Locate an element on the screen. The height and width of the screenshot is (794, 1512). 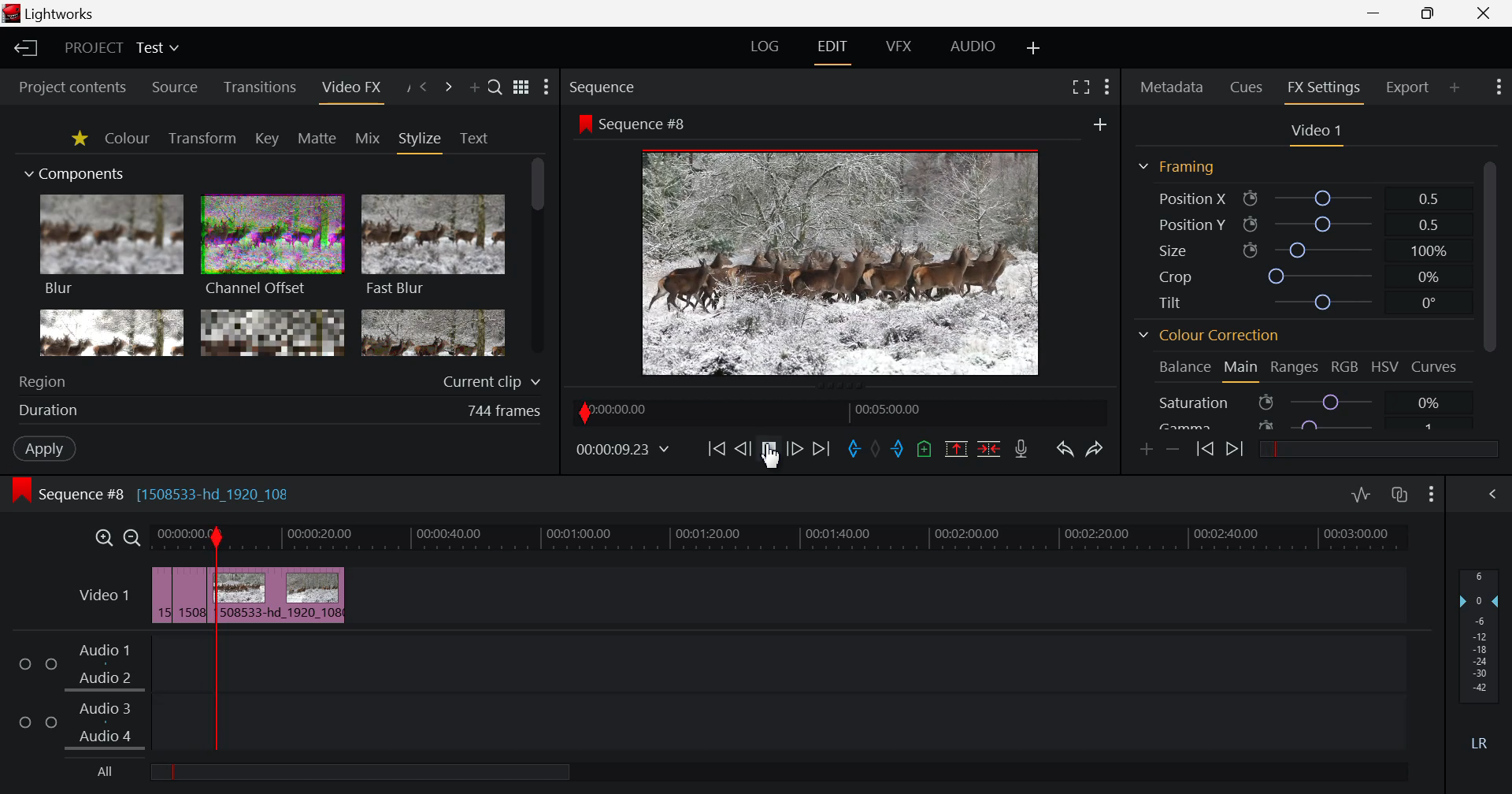
Audio Input Fields is located at coordinates (703, 695).